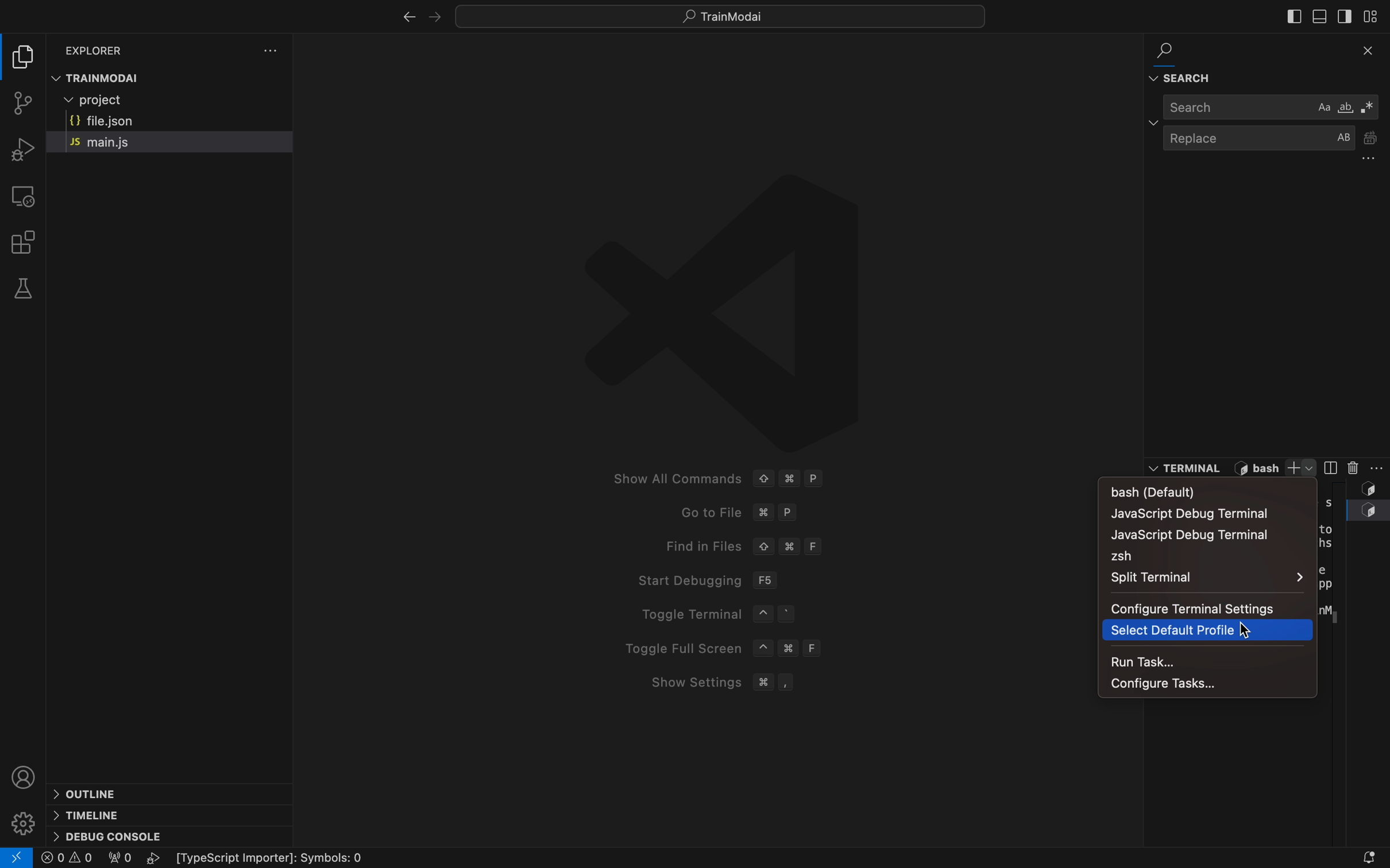  I want to click on folder, so click(25, 56).